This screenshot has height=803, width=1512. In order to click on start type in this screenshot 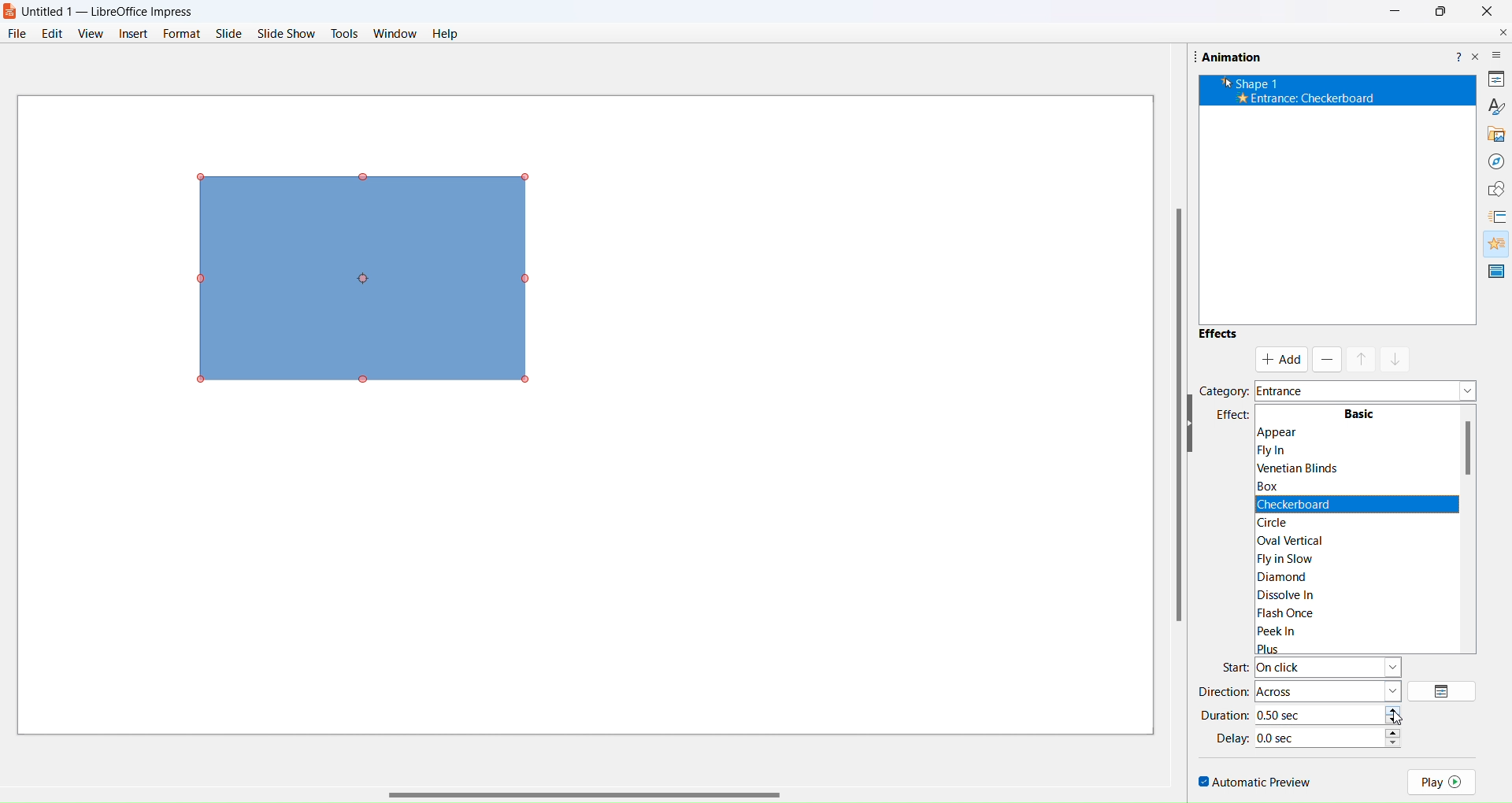, I will do `click(1332, 667)`.